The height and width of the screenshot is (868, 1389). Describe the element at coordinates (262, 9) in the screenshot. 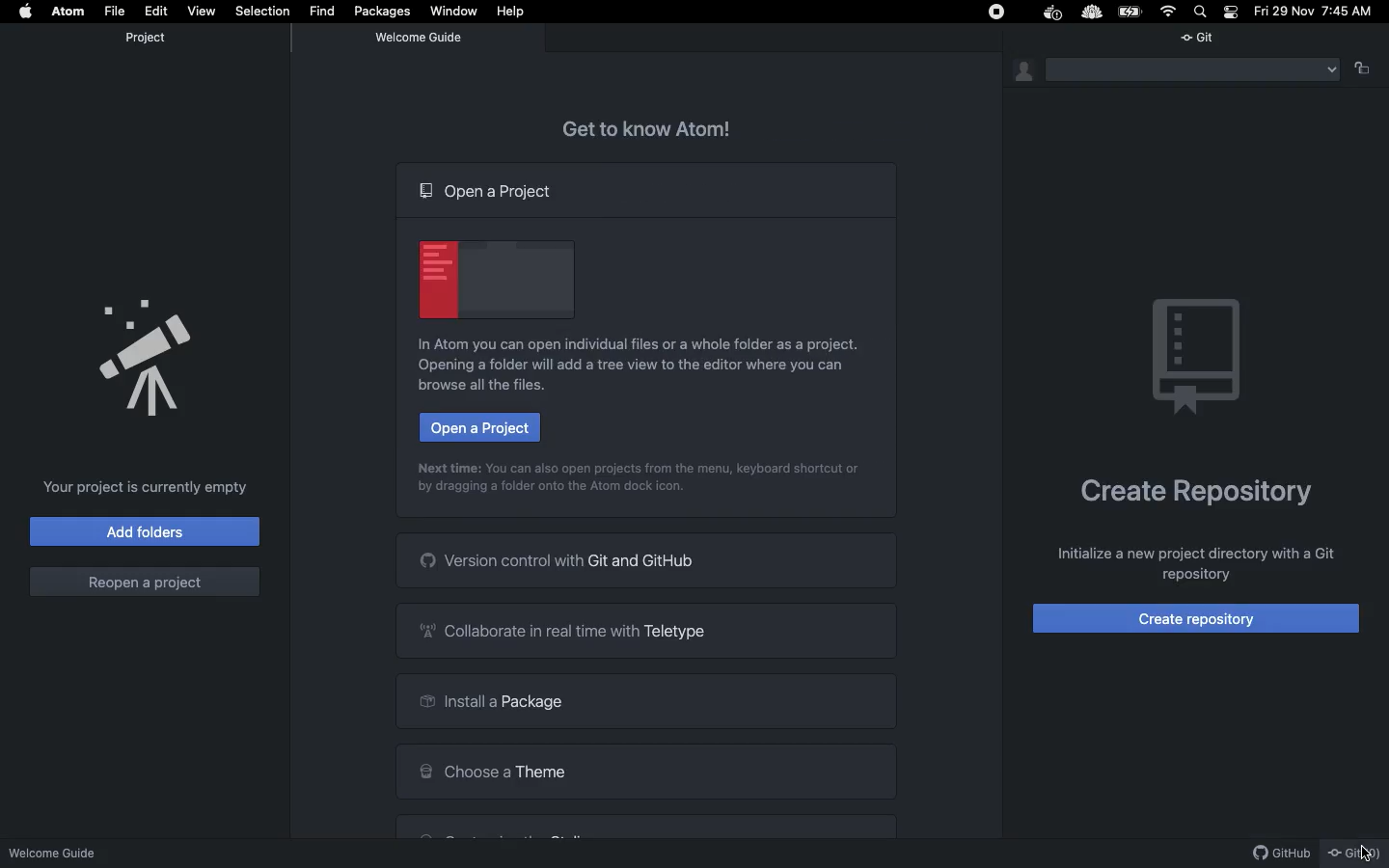

I see `Selection` at that location.